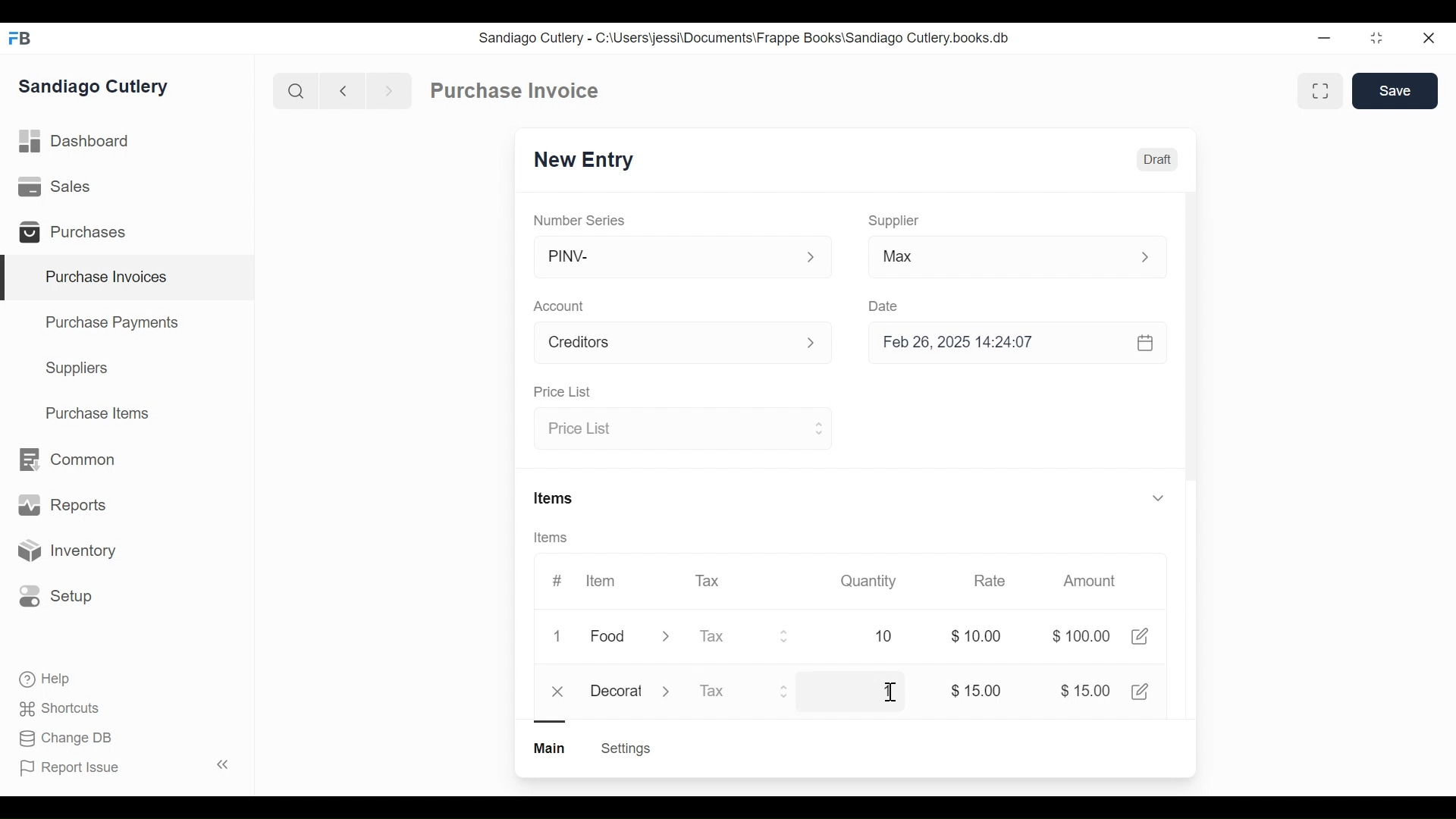 This screenshot has width=1456, height=819. I want to click on 1, so click(561, 637).